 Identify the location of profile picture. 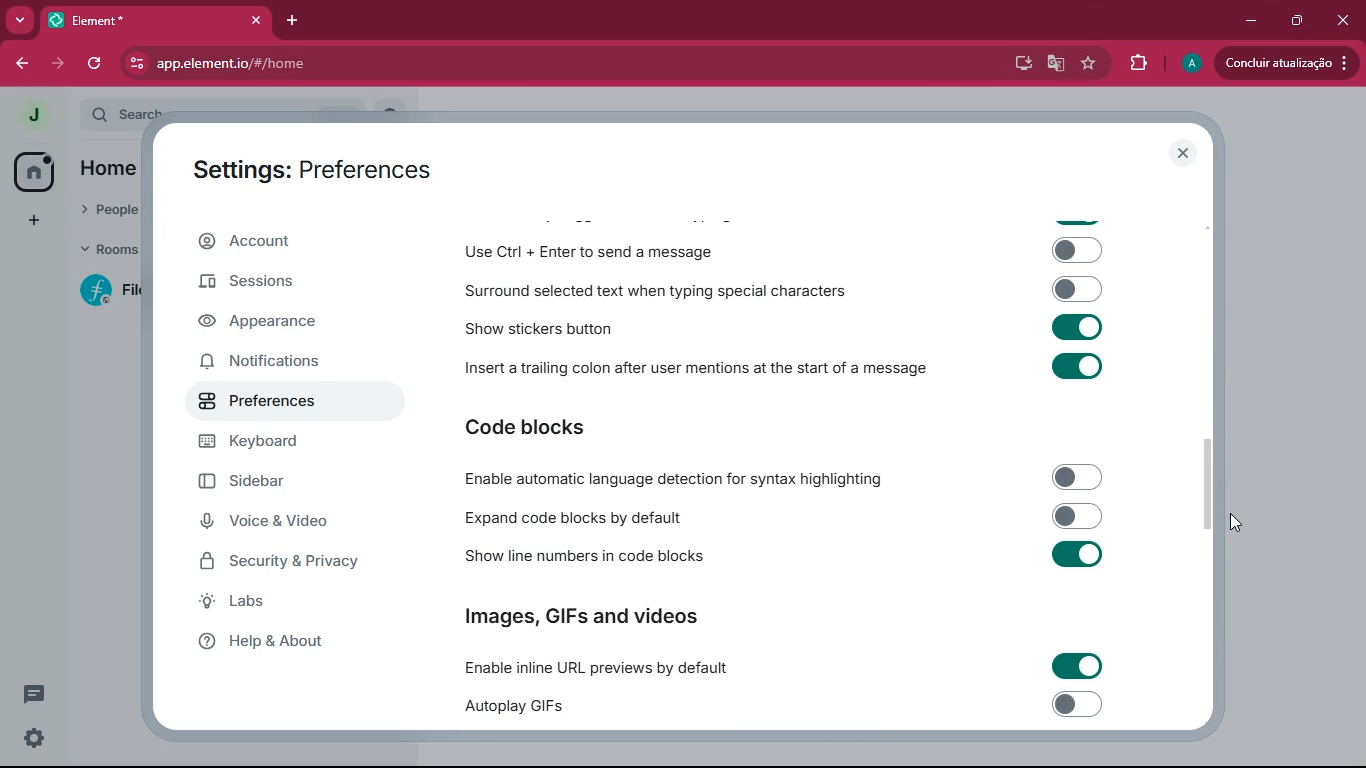
(27, 116).